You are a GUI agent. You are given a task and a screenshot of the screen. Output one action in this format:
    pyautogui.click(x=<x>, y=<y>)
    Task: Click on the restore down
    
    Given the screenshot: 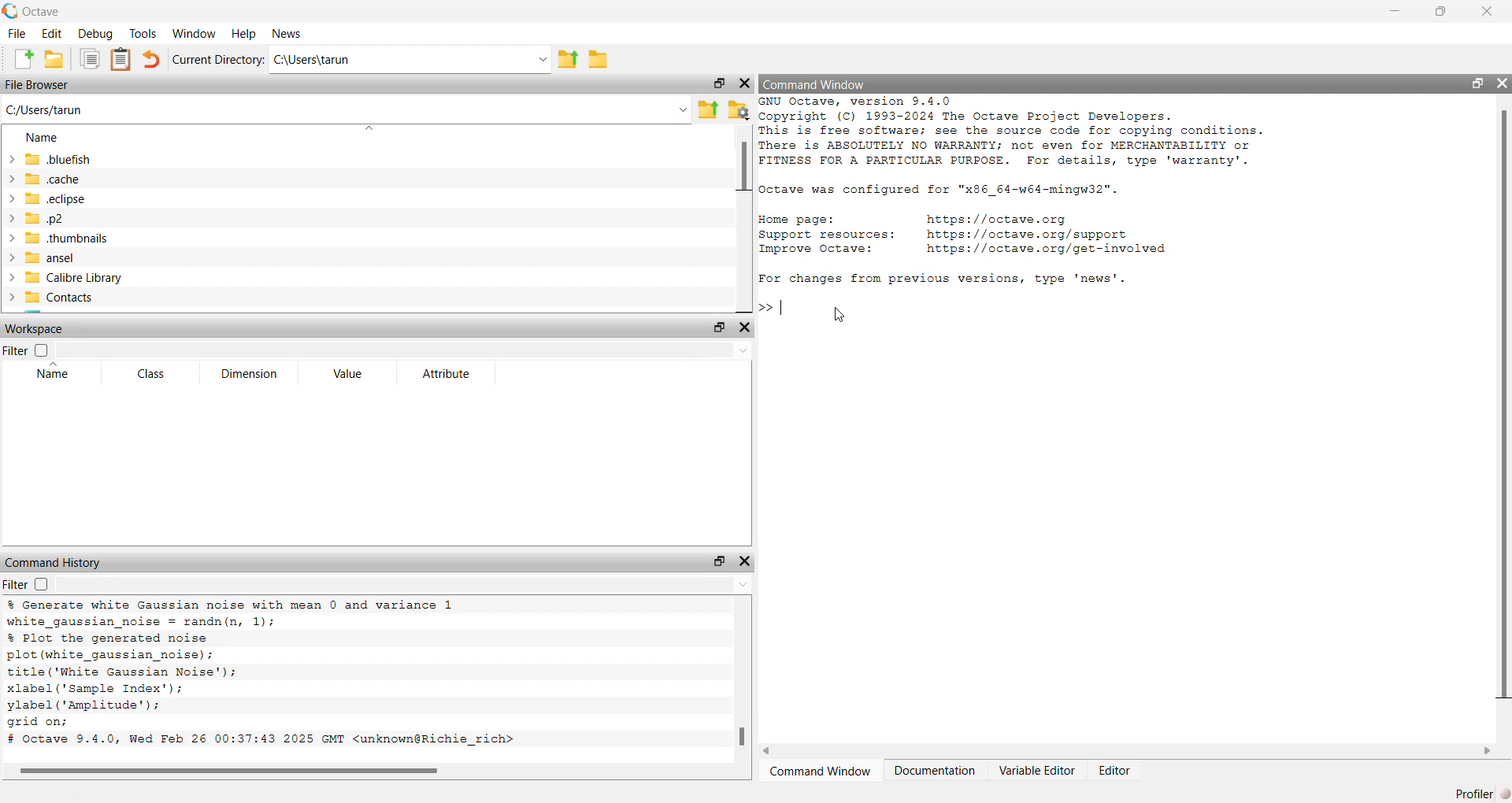 What is the action you would take?
    pyautogui.click(x=720, y=83)
    